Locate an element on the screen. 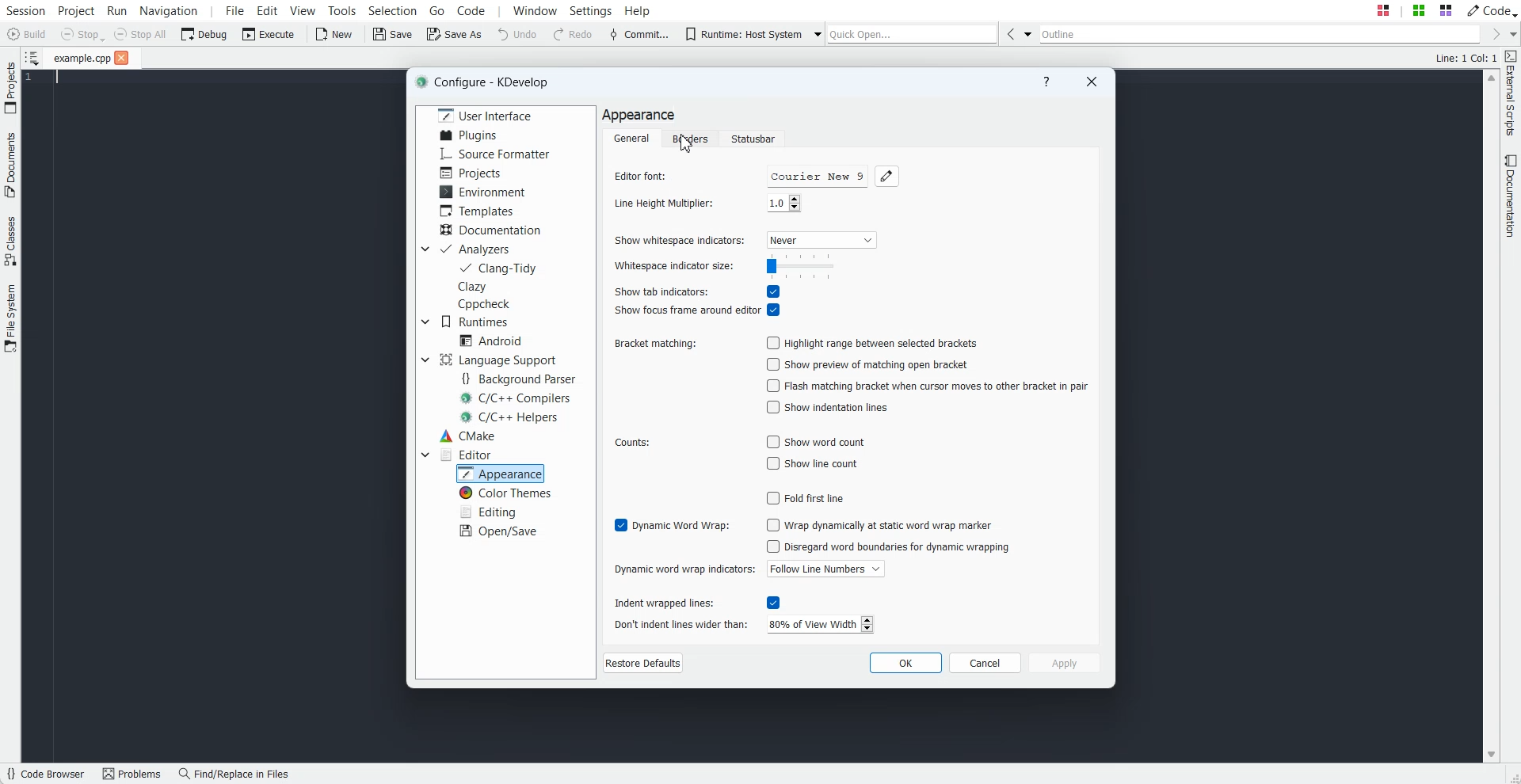  Drop down box is located at coordinates (425, 455).